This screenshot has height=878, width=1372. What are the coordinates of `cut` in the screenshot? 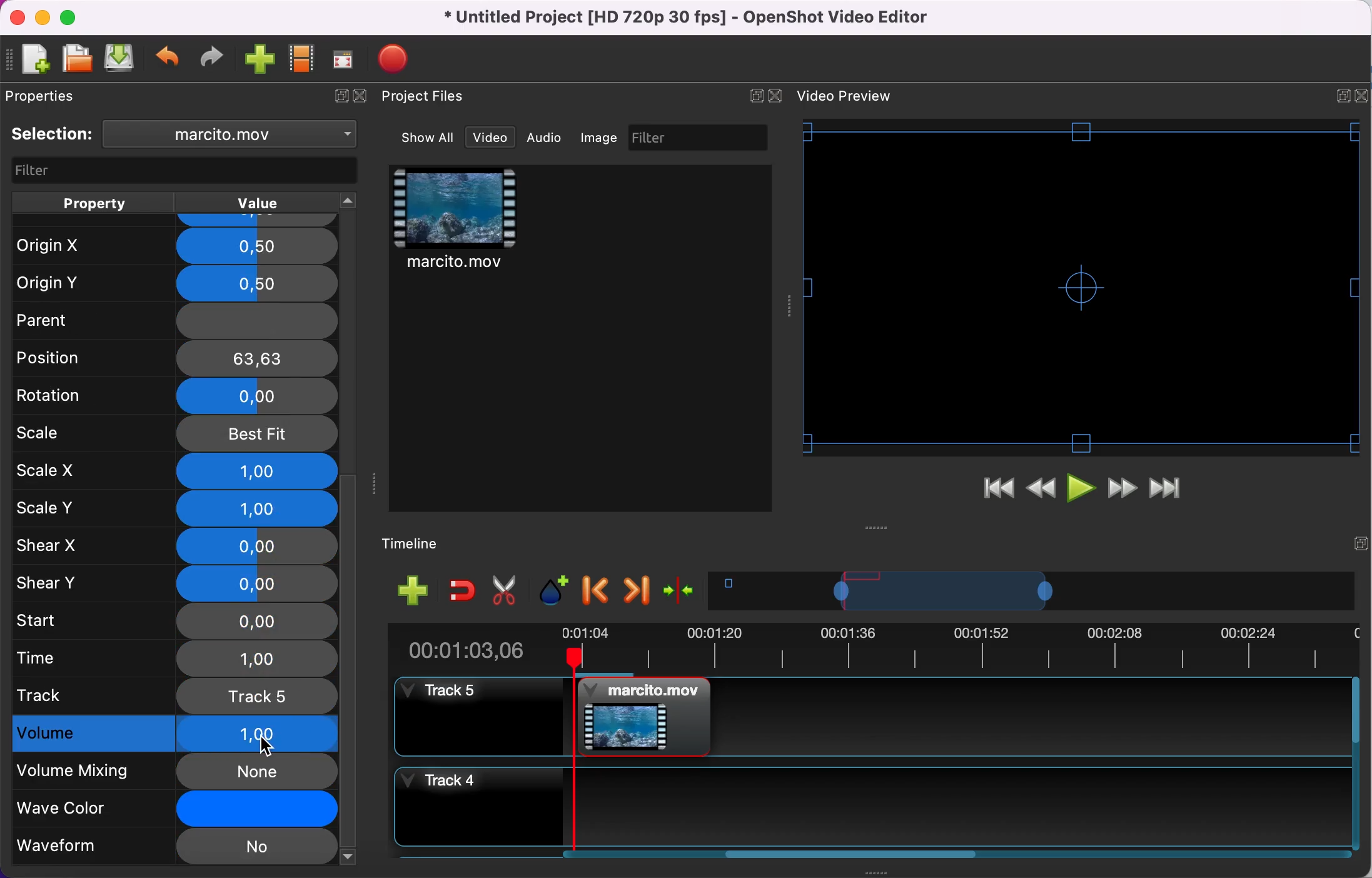 It's located at (505, 591).